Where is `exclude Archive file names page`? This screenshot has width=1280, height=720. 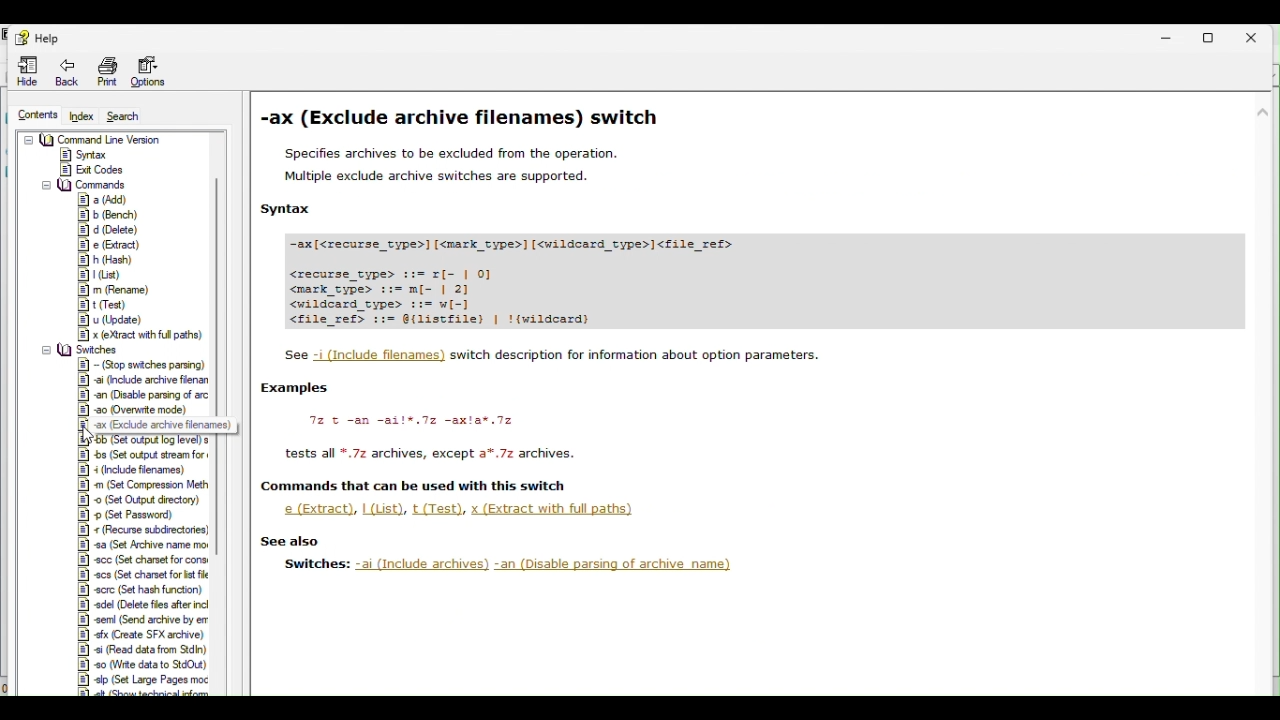 exclude Archive file names page is located at coordinates (761, 213).